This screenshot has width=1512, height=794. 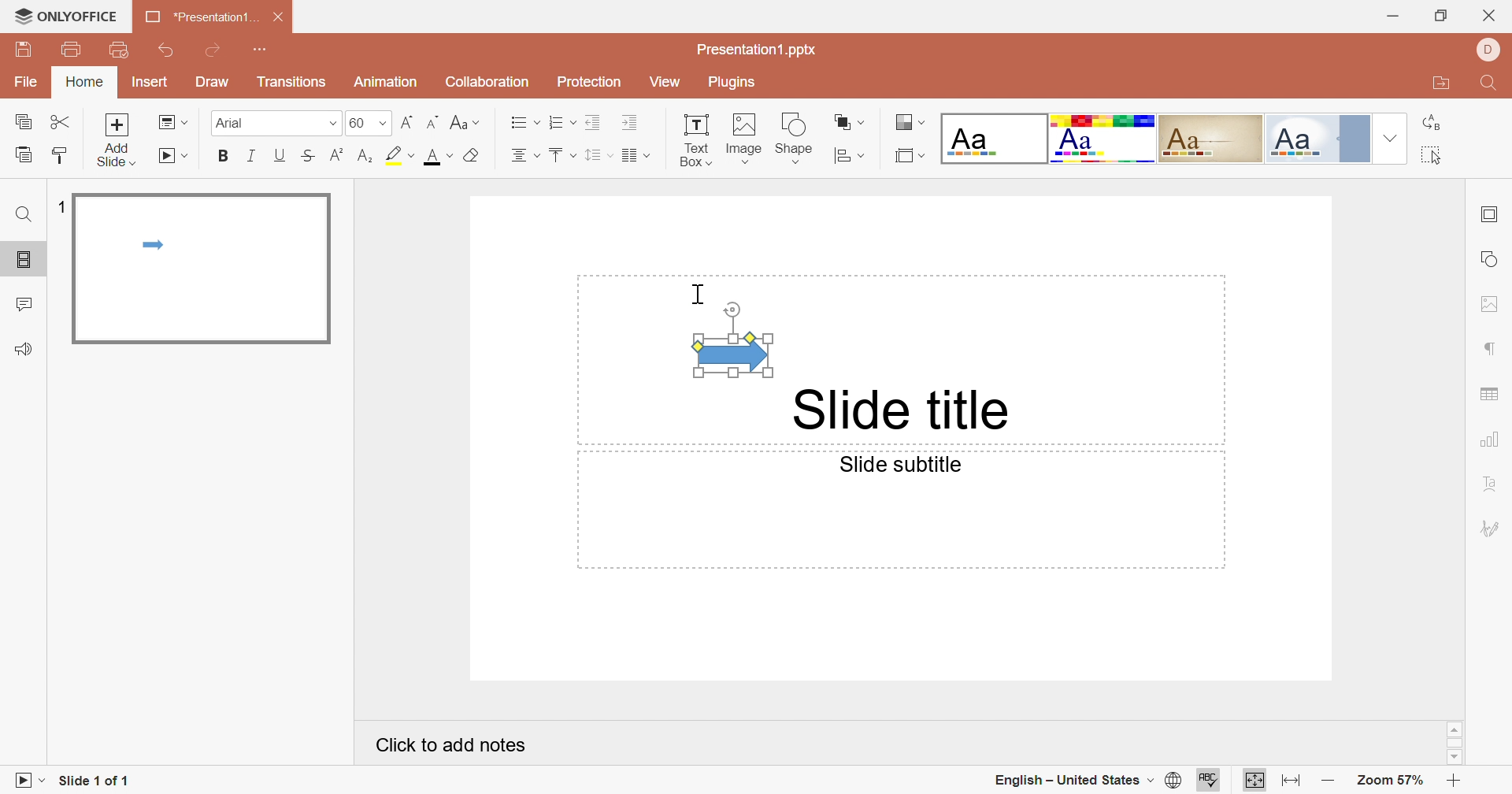 I want to click on Slide subtitle, so click(x=897, y=464).